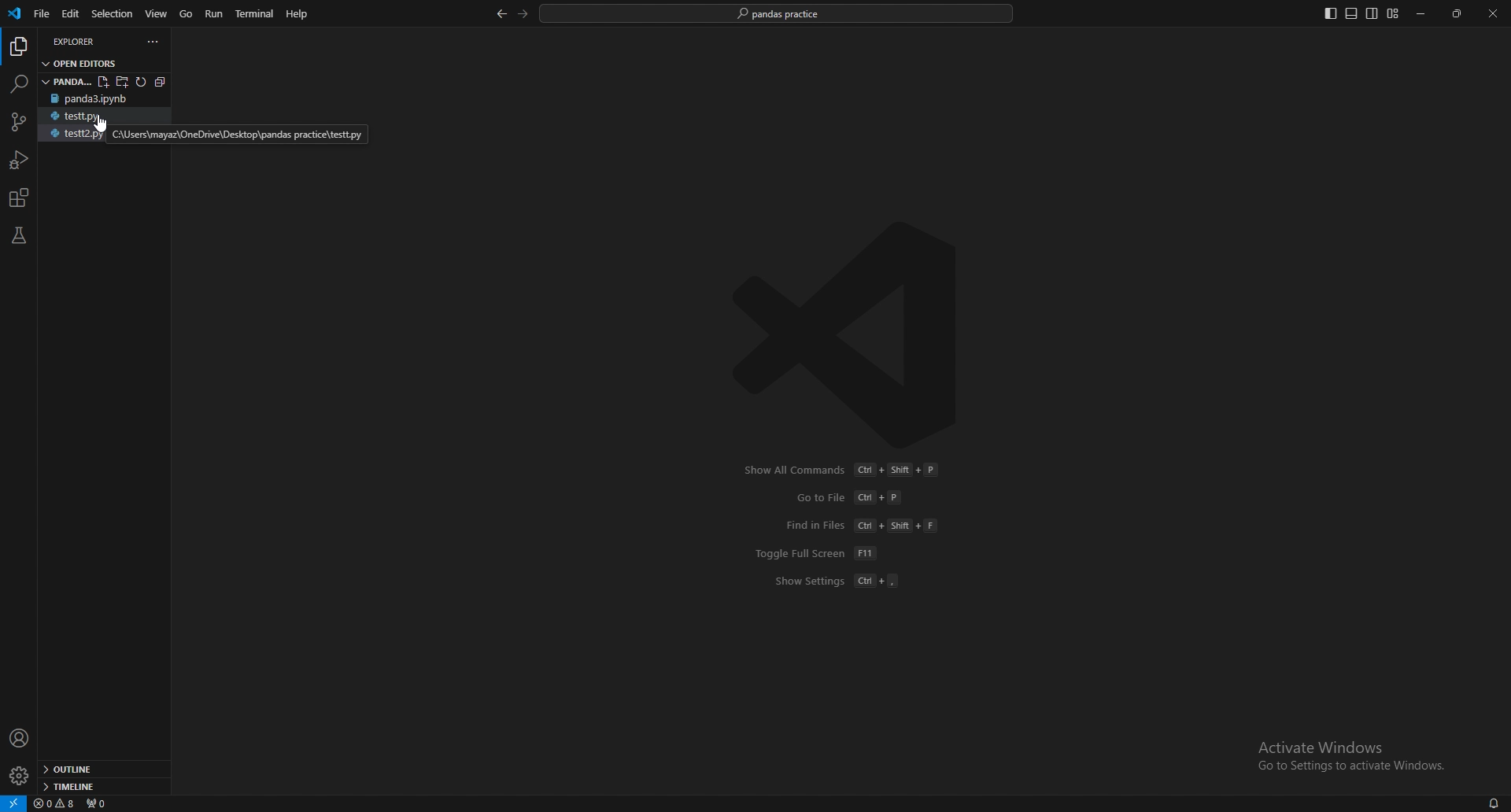  I want to click on explorer, so click(20, 47).